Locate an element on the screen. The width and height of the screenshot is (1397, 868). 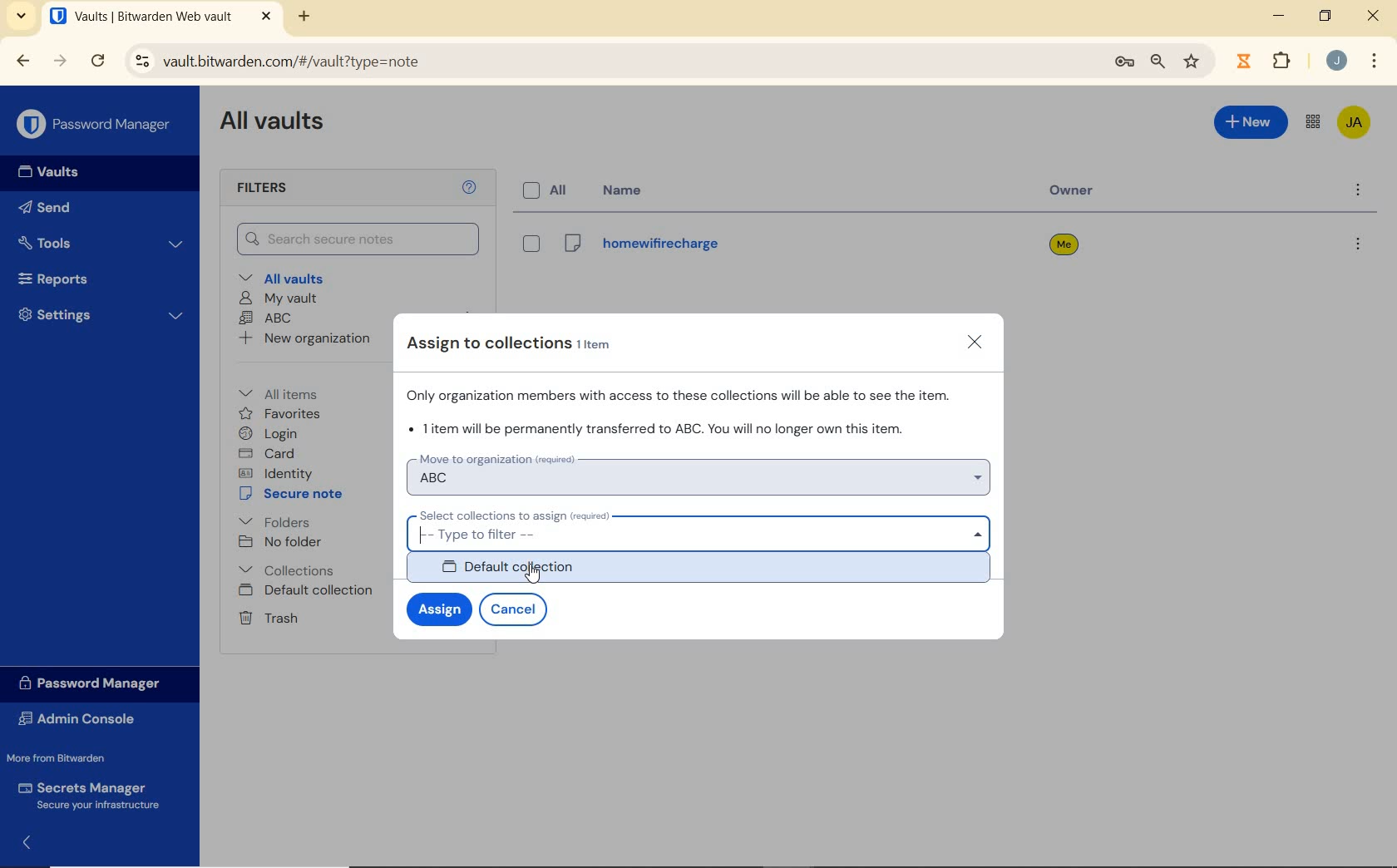
Admin Console is located at coordinates (86, 718).